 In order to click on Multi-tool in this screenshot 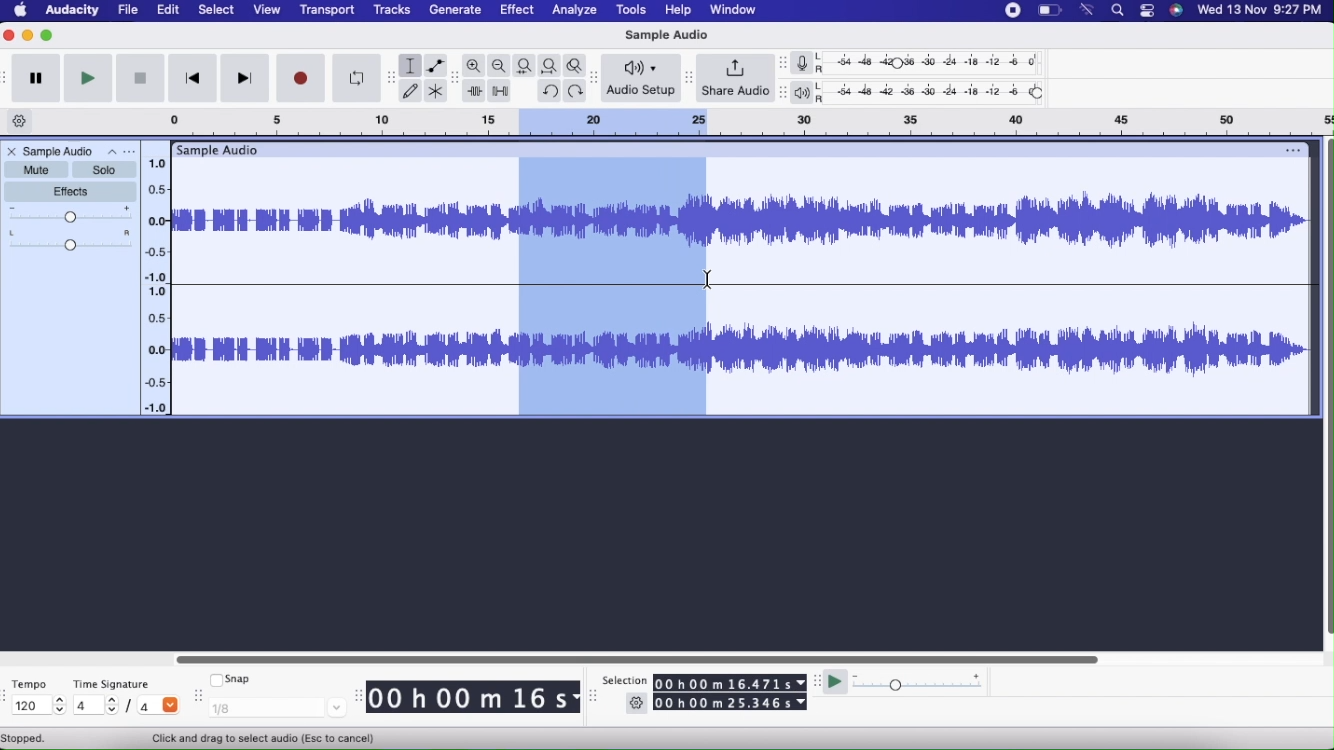, I will do `click(437, 92)`.